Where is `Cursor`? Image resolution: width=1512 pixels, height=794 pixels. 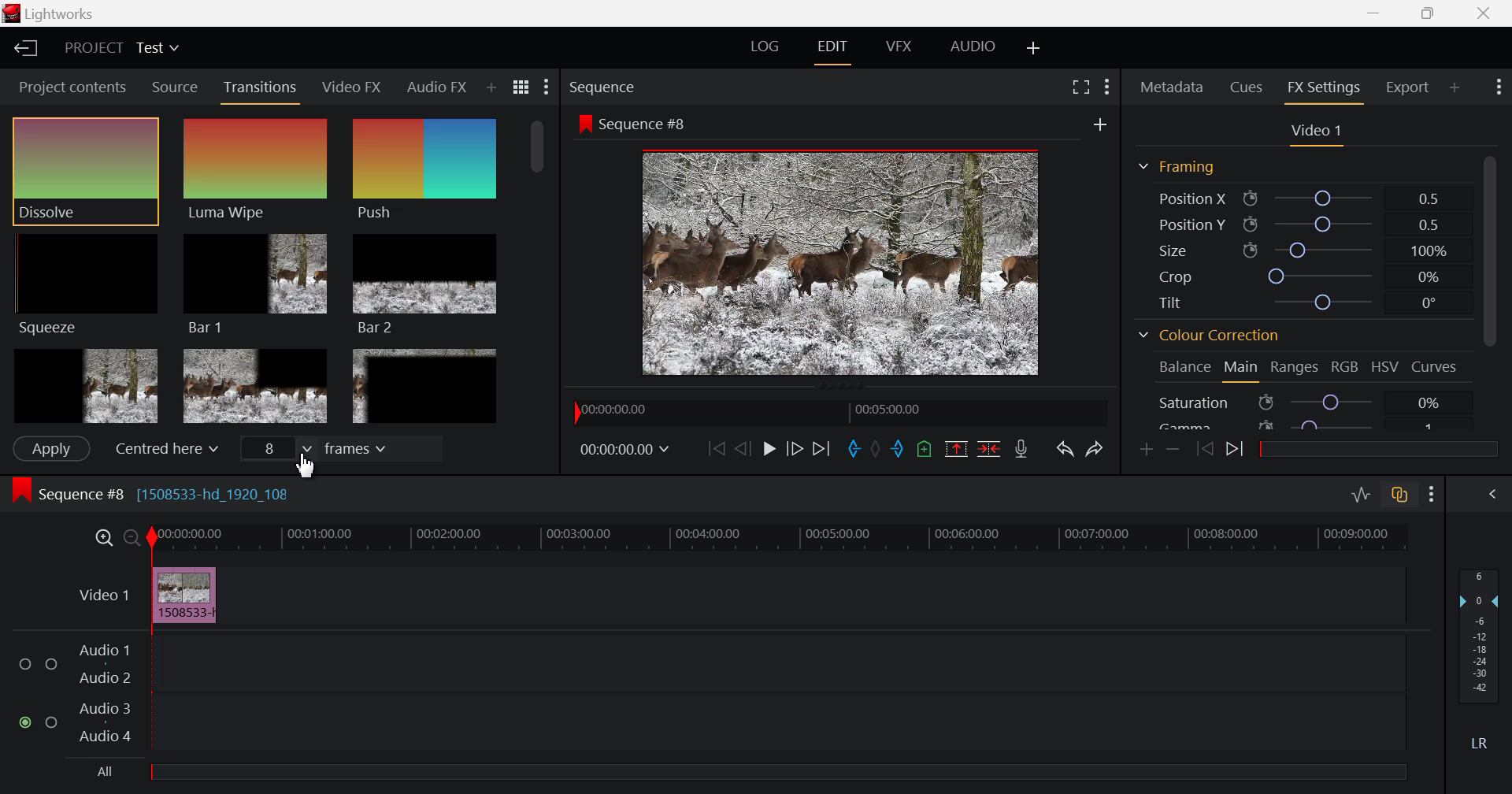
Cursor is located at coordinates (309, 467).